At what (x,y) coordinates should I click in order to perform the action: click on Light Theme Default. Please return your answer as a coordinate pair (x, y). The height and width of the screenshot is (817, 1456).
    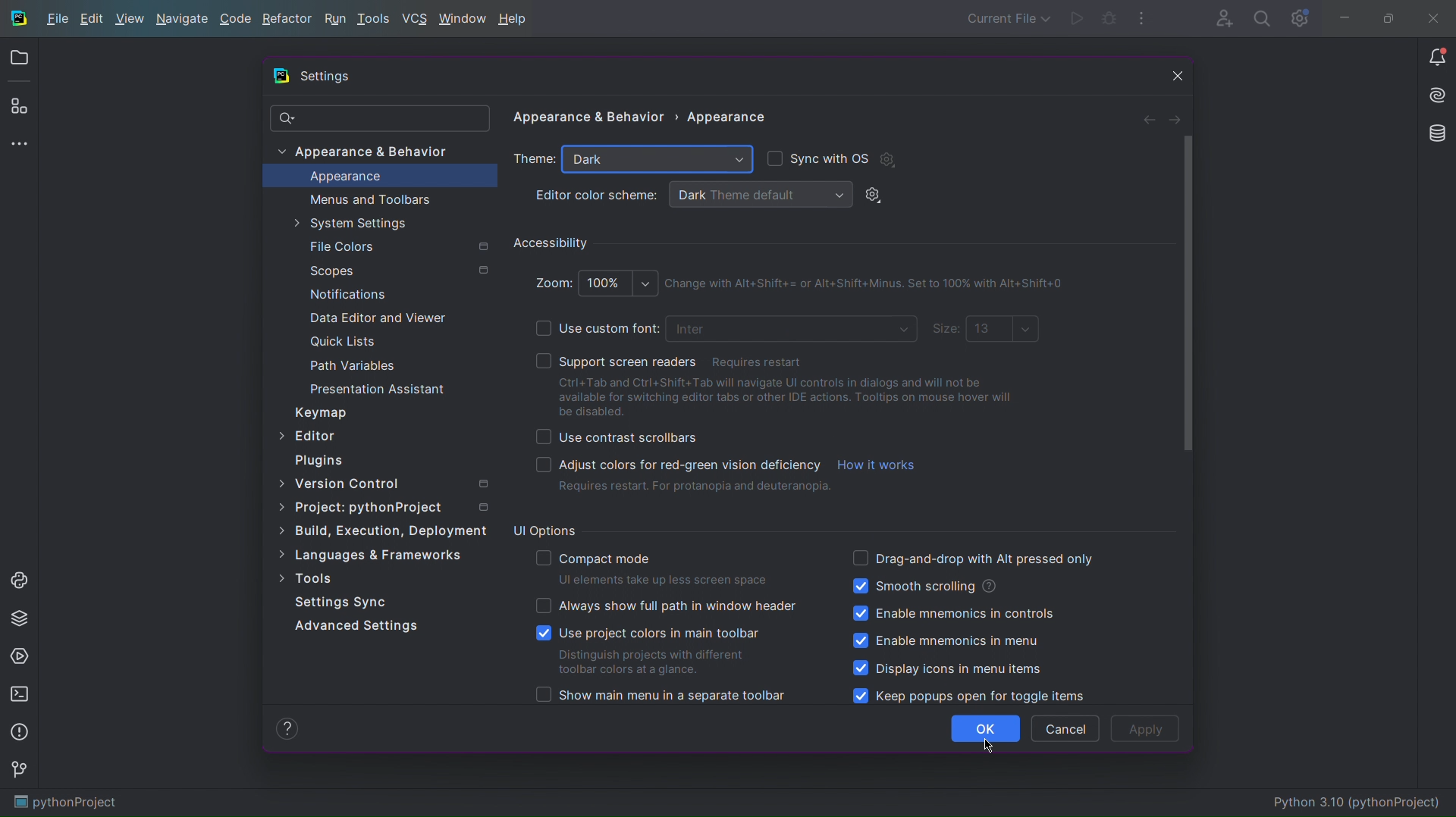
    Looking at the image, I should click on (758, 194).